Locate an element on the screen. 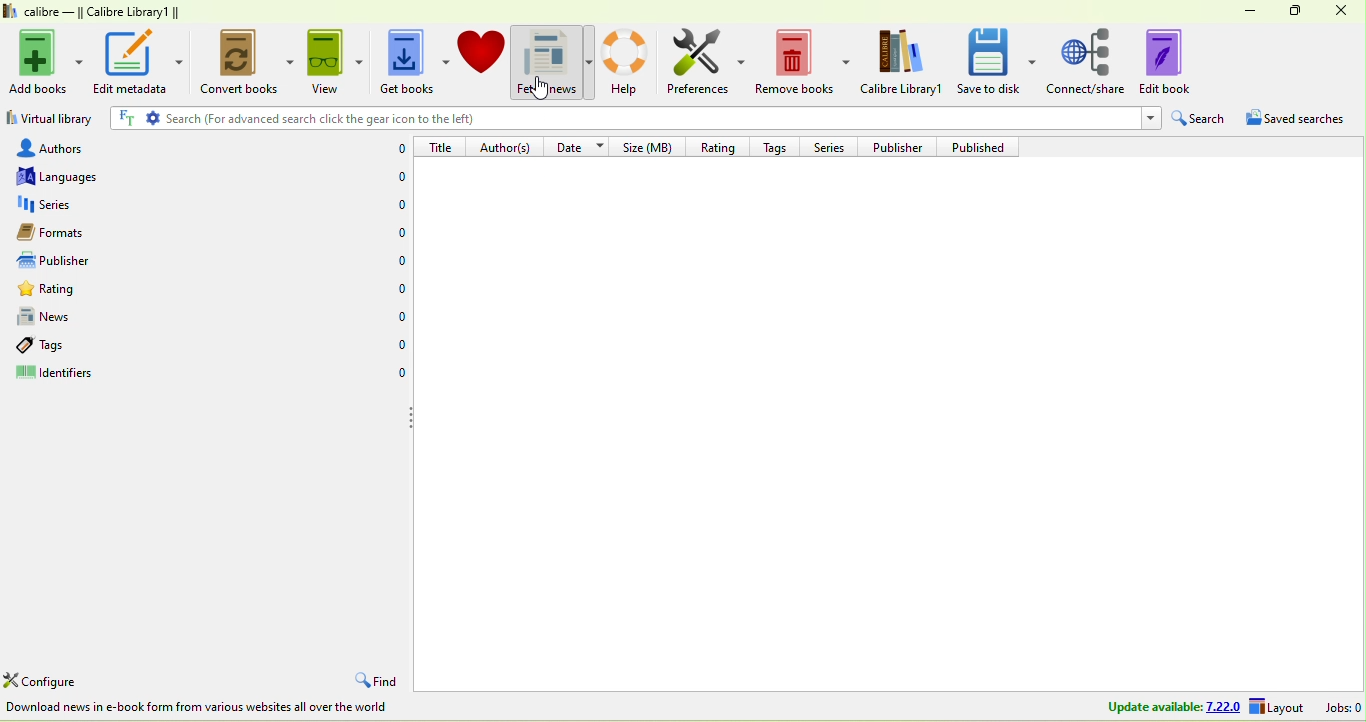 The height and width of the screenshot is (722, 1366). remove books options is located at coordinates (844, 60).